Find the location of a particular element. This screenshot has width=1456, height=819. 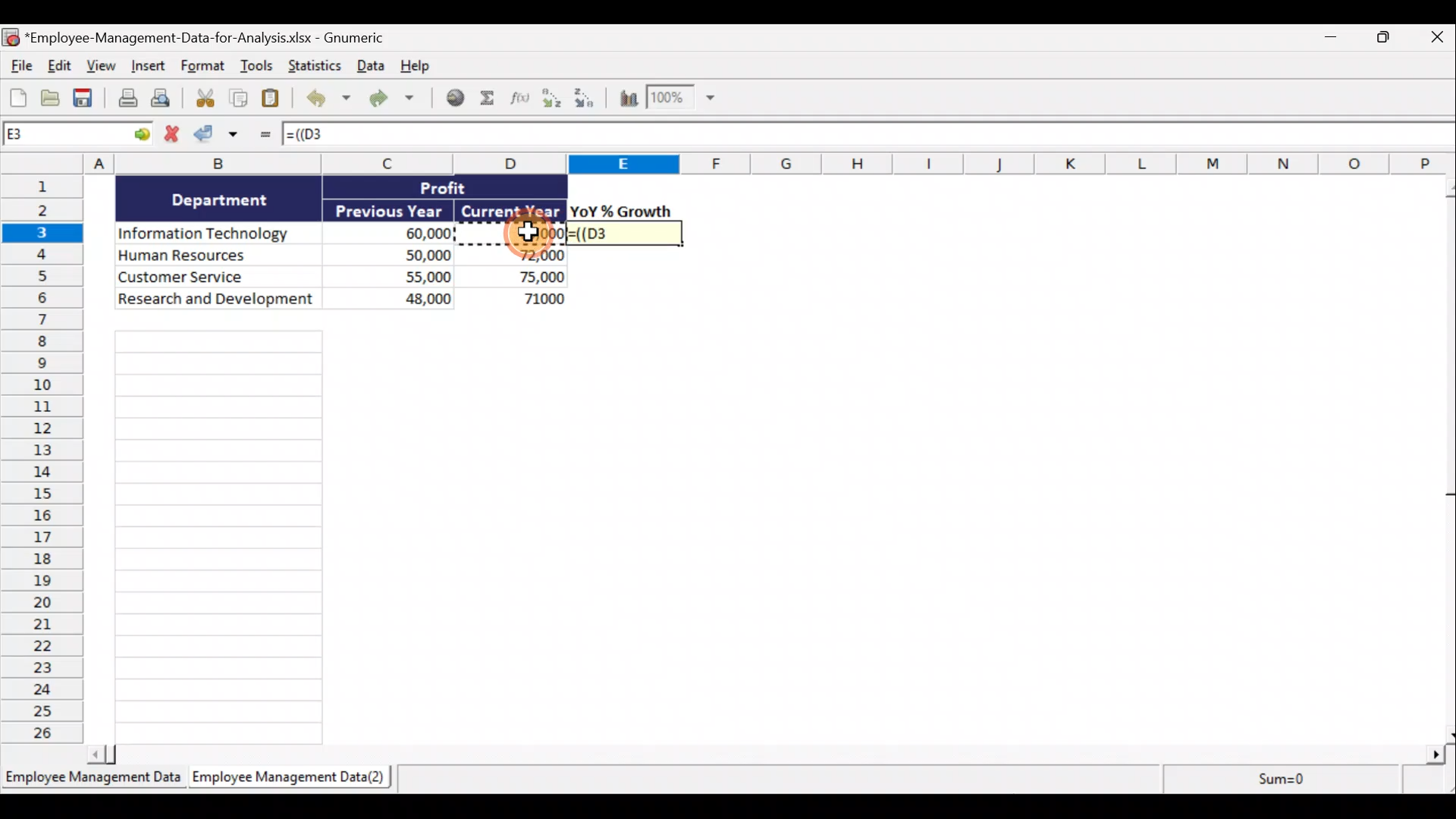

sum=0 is located at coordinates (1307, 781).